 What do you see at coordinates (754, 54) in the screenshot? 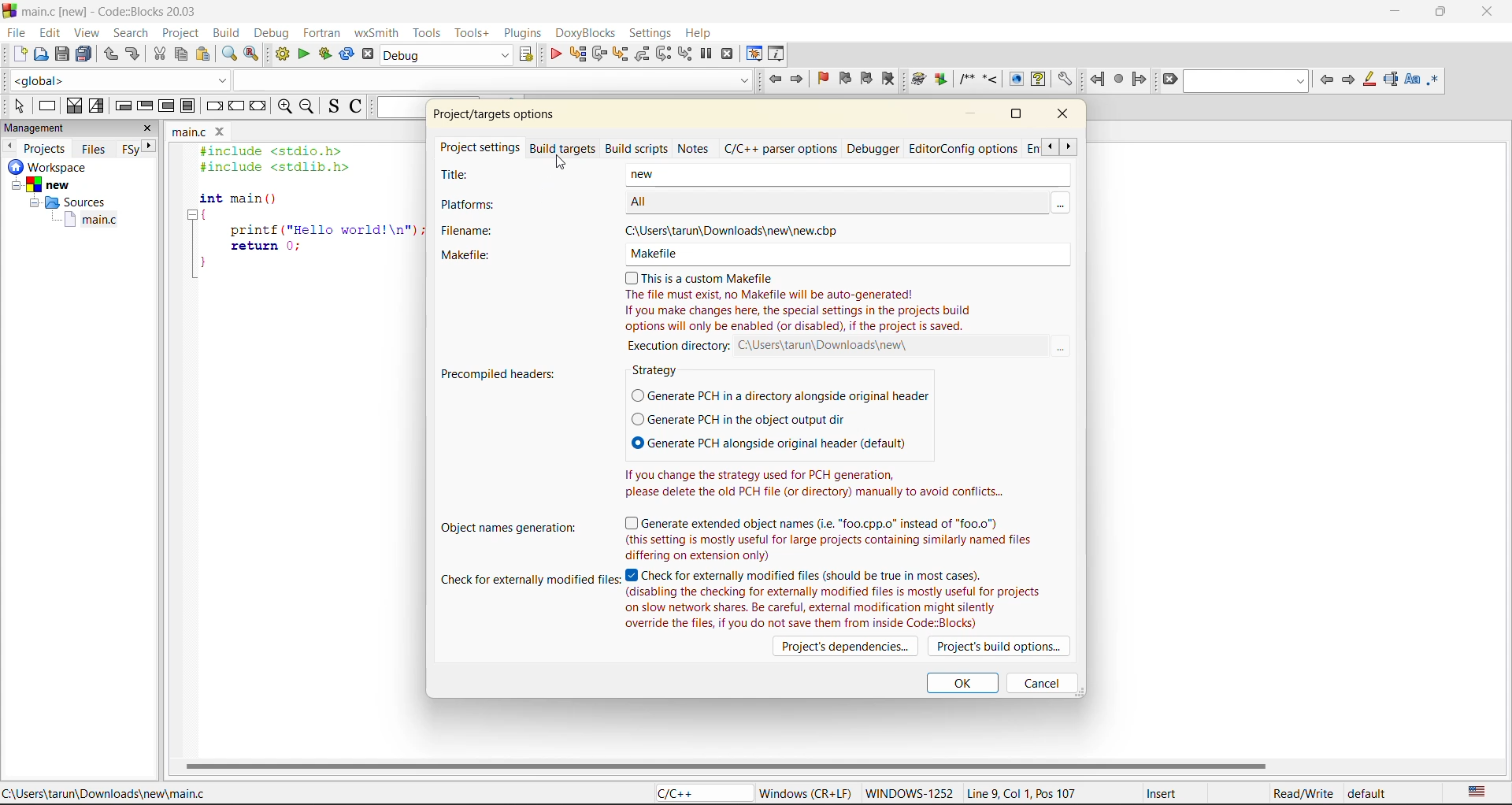
I see `debugging windows` at bounding box center [754, 54].